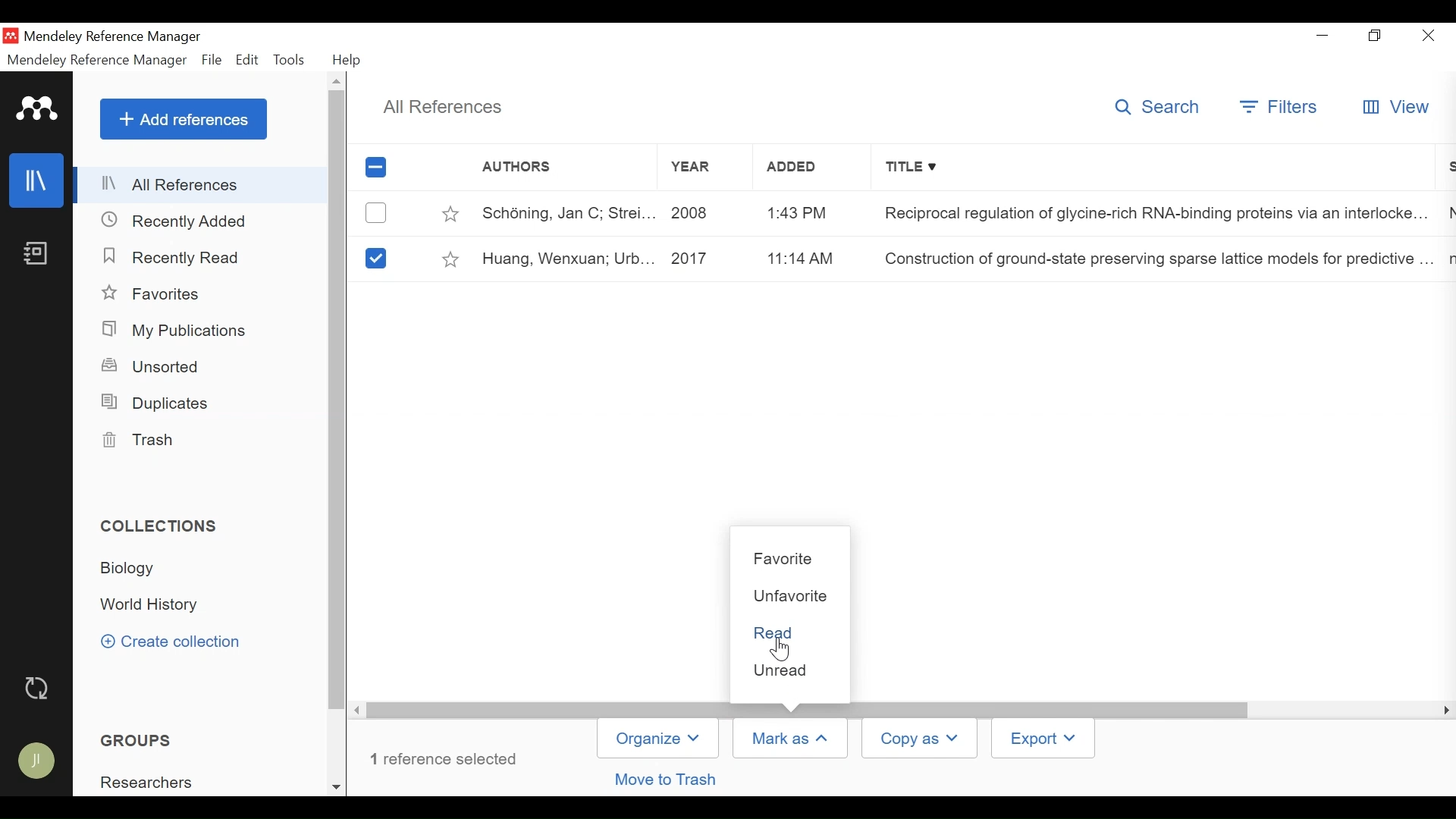  What do you see at coordinates (1325, 36) in the screenshot?
I see `minimize` at bounding box center [1325, 36].